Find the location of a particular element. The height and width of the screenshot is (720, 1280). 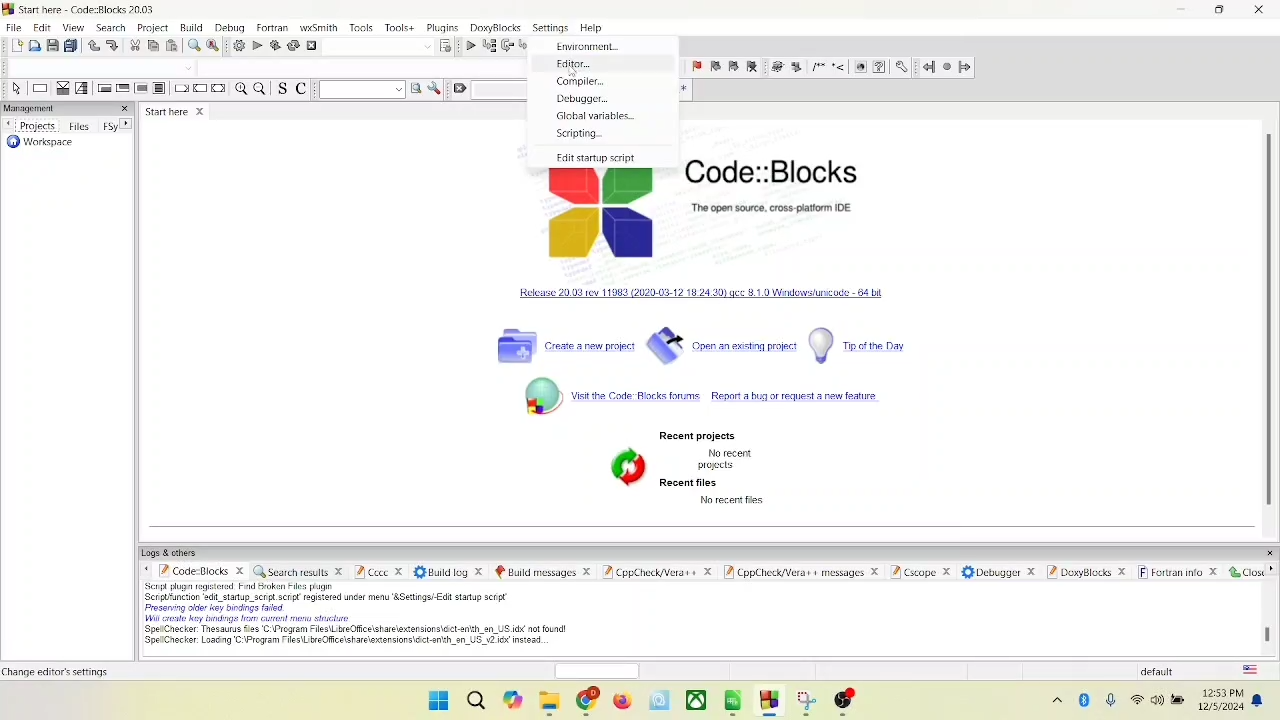

continue instruction is located at coordinates (201, 88).